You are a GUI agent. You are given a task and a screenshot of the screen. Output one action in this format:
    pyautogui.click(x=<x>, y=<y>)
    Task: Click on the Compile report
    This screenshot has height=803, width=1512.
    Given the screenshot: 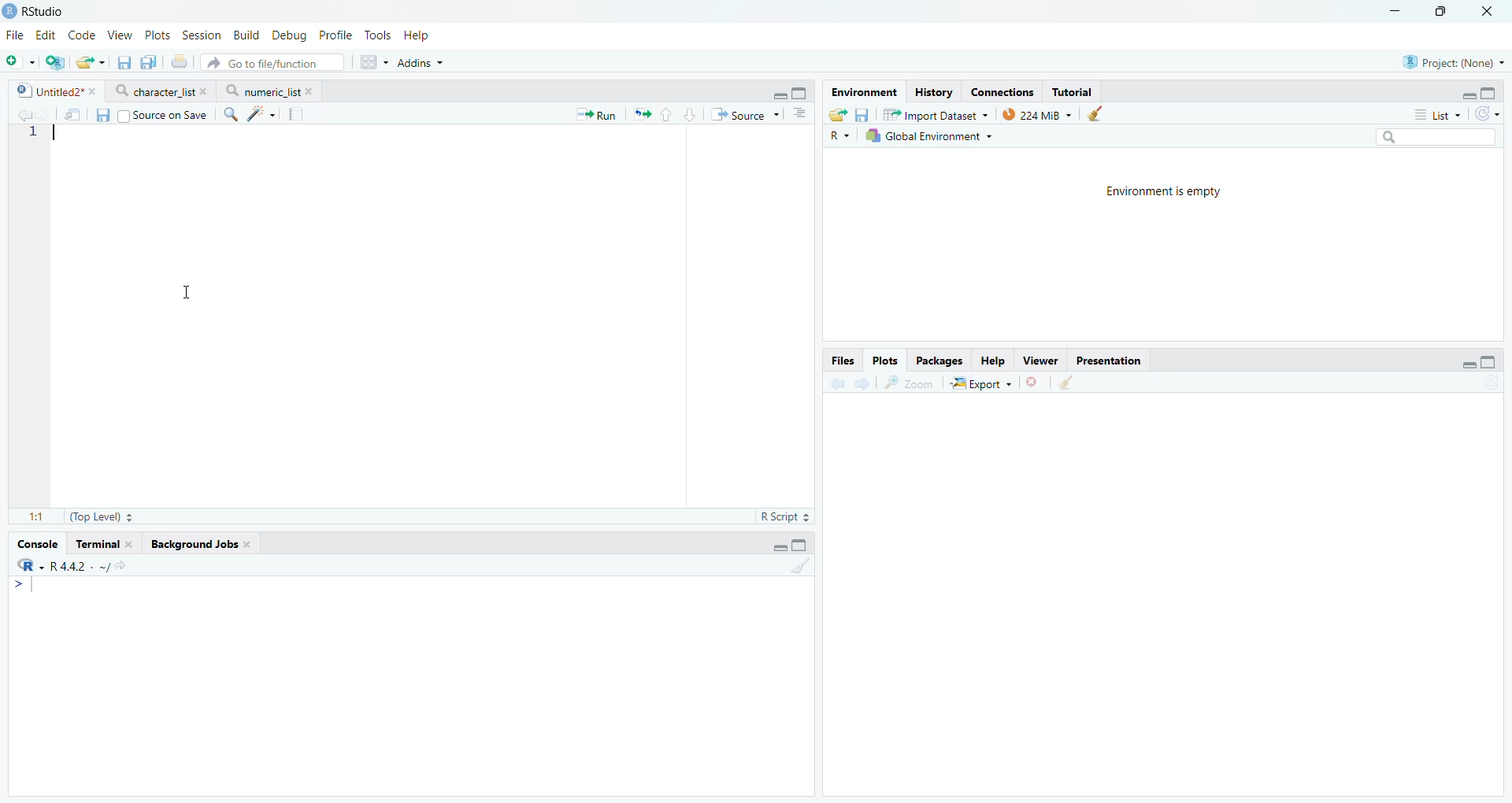 What is the action you would take?
    pyautogui.click(x=298, y=114)
    